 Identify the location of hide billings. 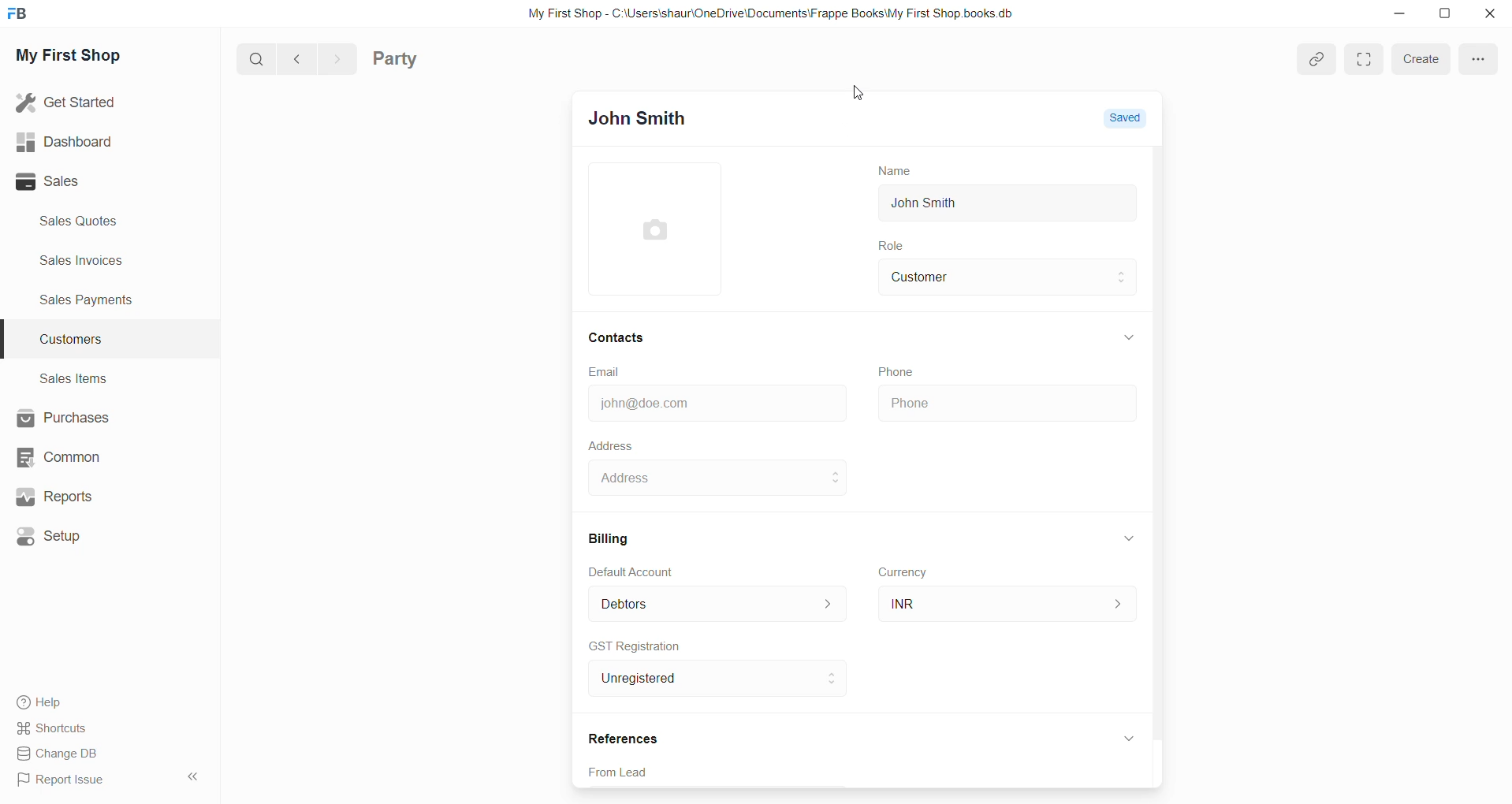
(1128, 538).